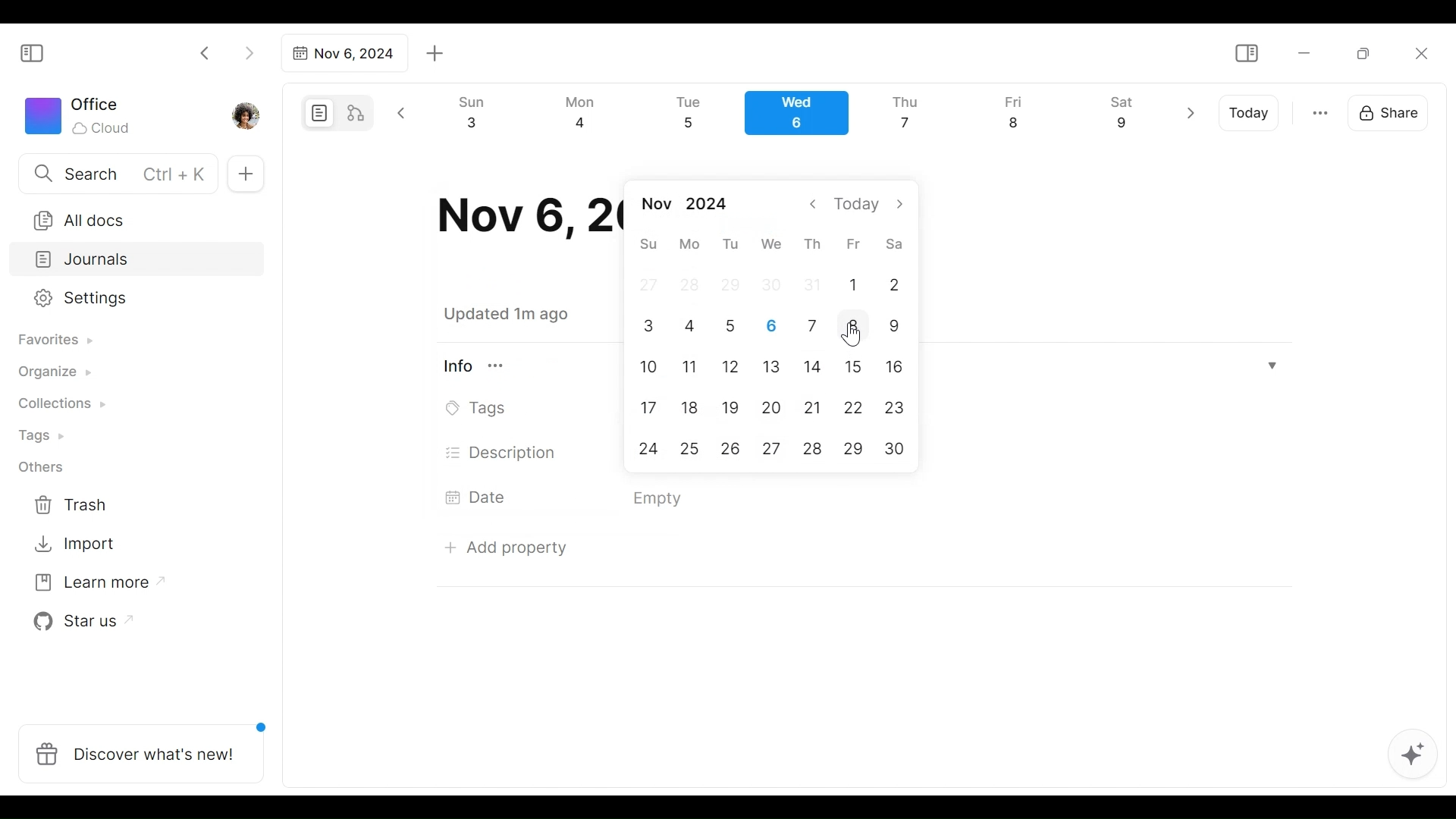 The width and height of the screenshot is (1456, 819). What do you see at coordinates (60, 406) in the screenshot?
I see `Collections` at bounding box center [60, 406].